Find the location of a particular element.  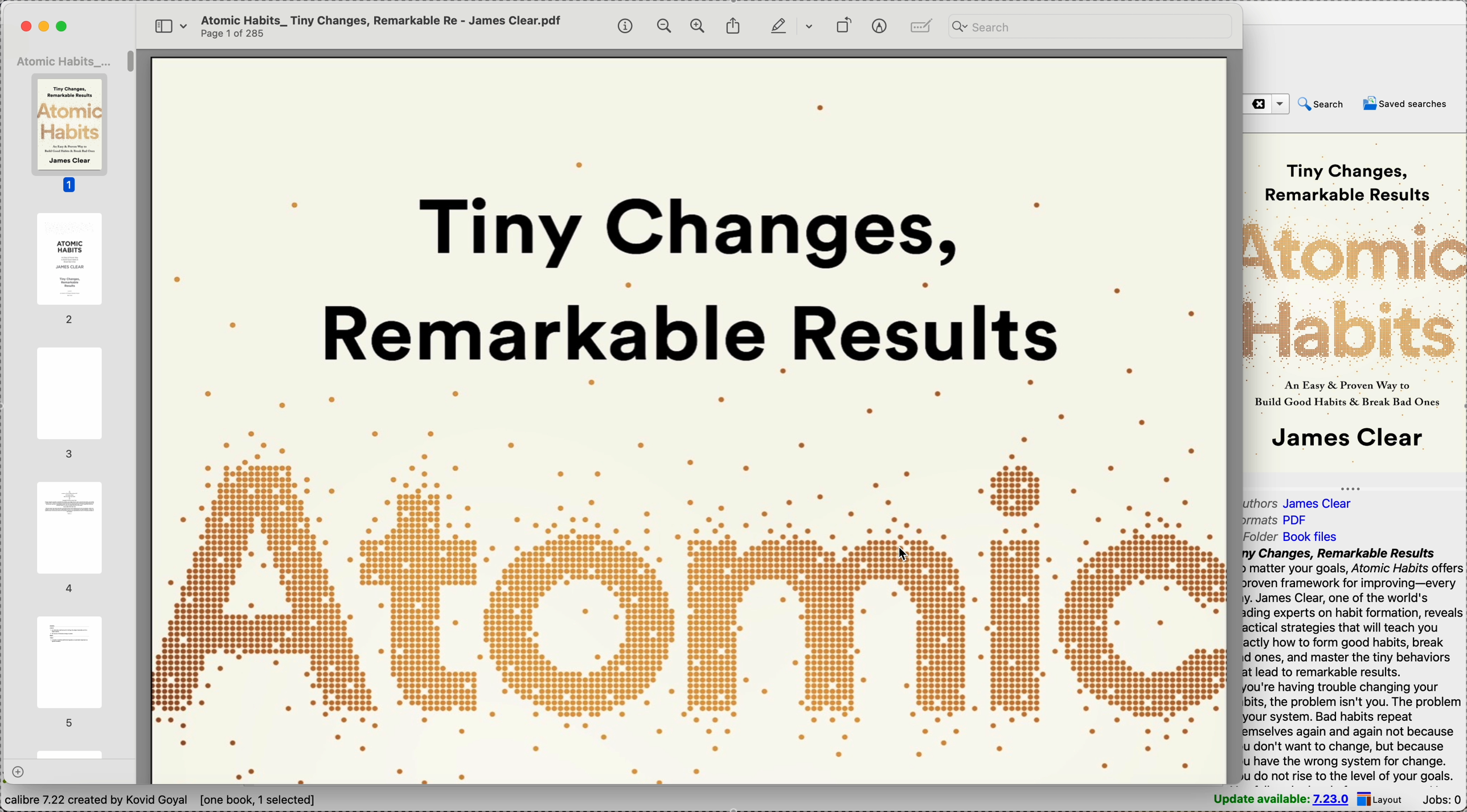

Calibre 7.22 created by Kovid Goyal [one book, 1 selected] is located at coordinates (161, 801).